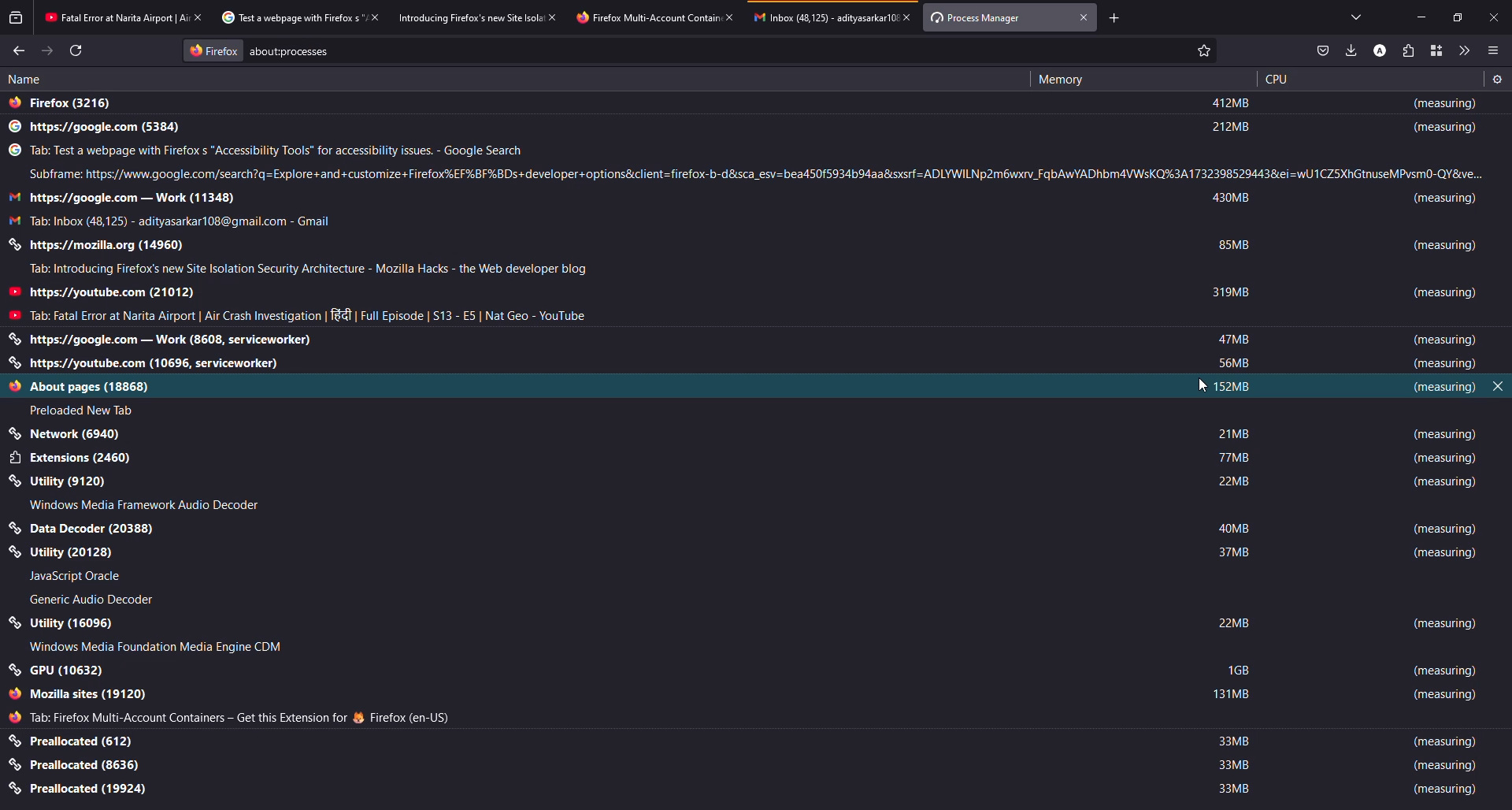 This screenshot has height=810, width=1512. I want to click on inbox (48,125), so click(819, 17).